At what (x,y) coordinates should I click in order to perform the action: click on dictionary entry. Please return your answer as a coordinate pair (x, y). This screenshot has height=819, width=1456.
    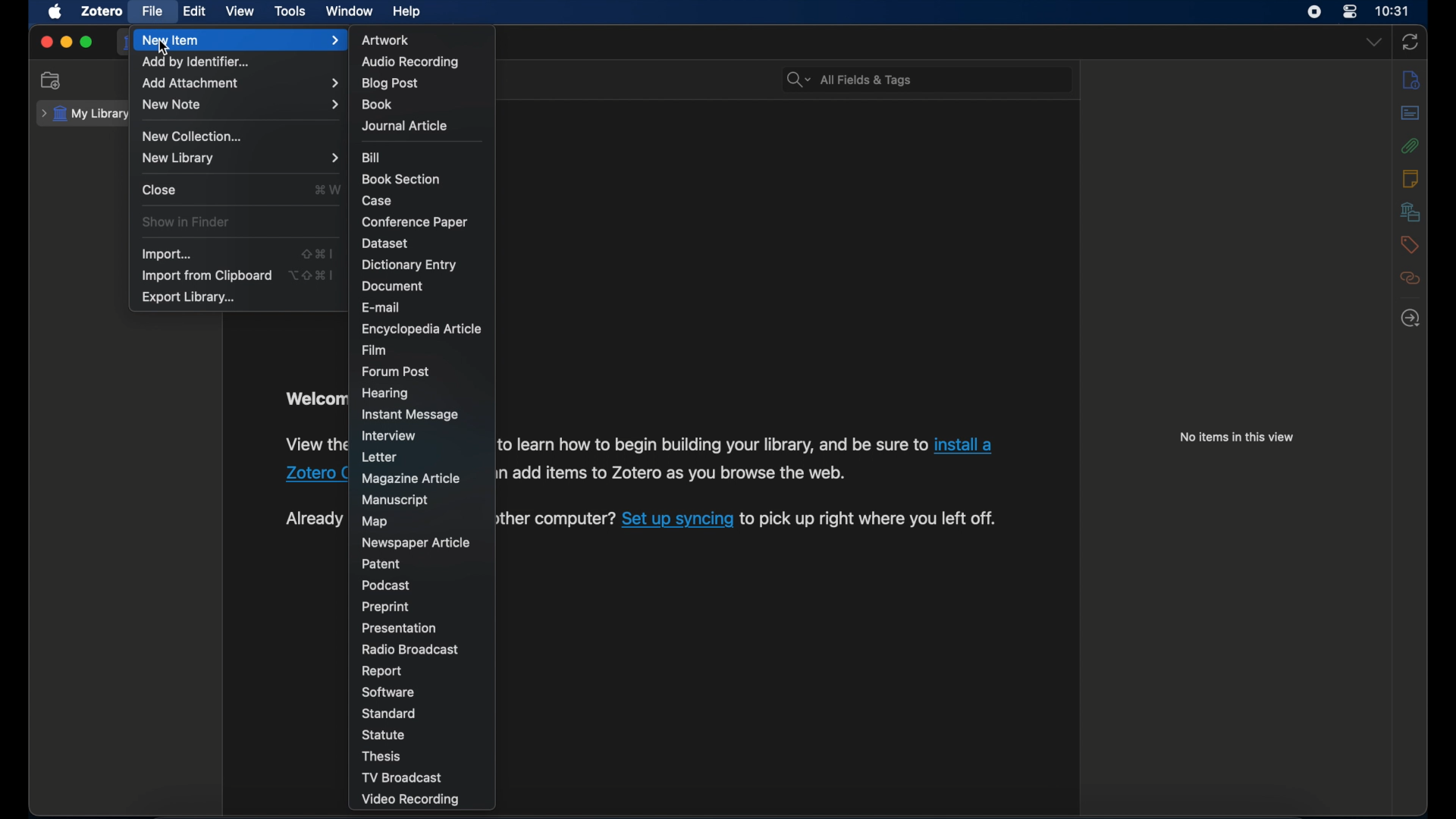
    Looking at the image, I should click on (409, 265).